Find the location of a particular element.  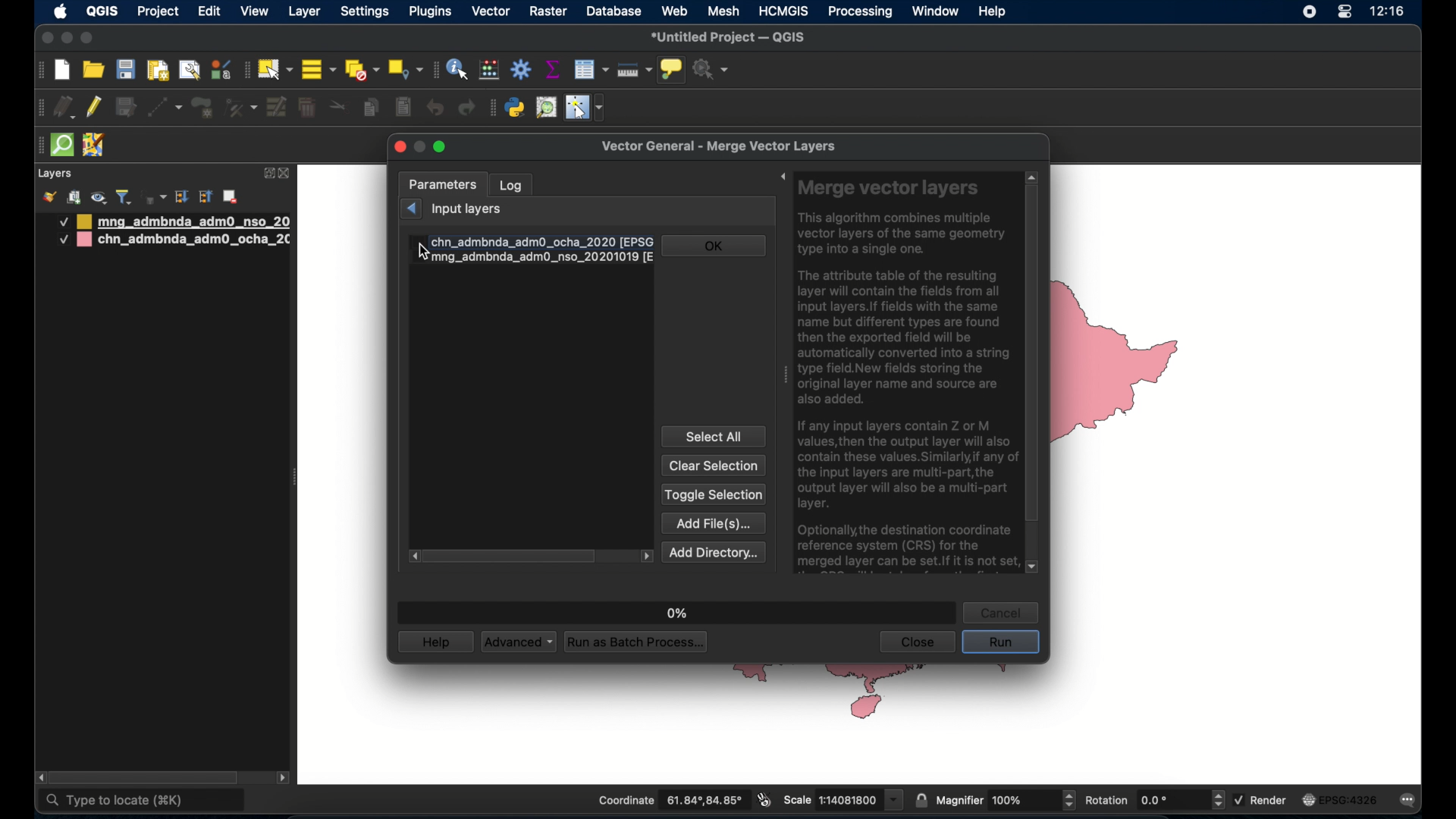

window is located at coordinates (935, 11).